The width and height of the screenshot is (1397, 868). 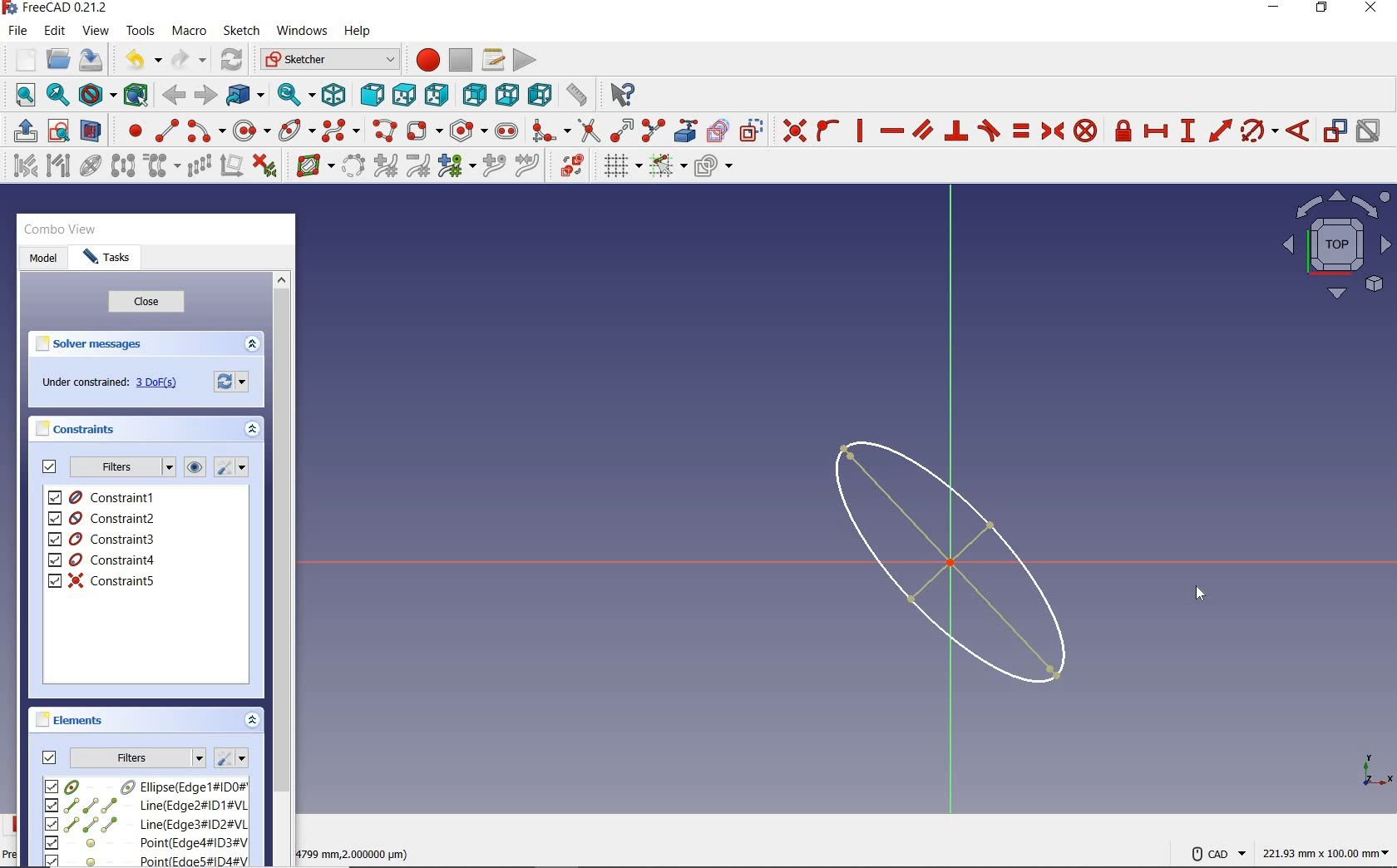 I want to click on constrain angle, so click(x=1298, y=130).